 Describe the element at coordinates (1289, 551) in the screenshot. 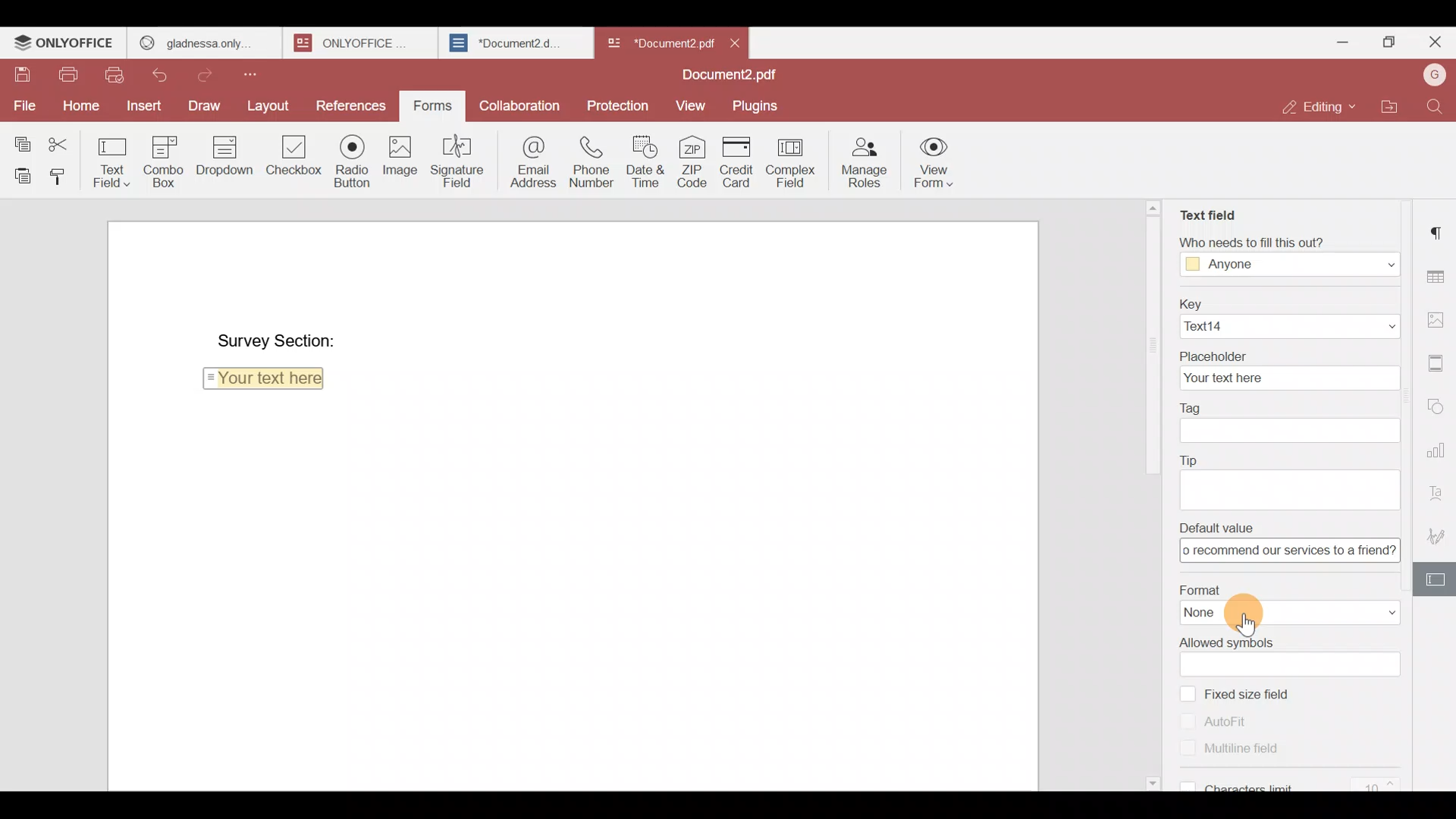

I see `textbox` at that location.